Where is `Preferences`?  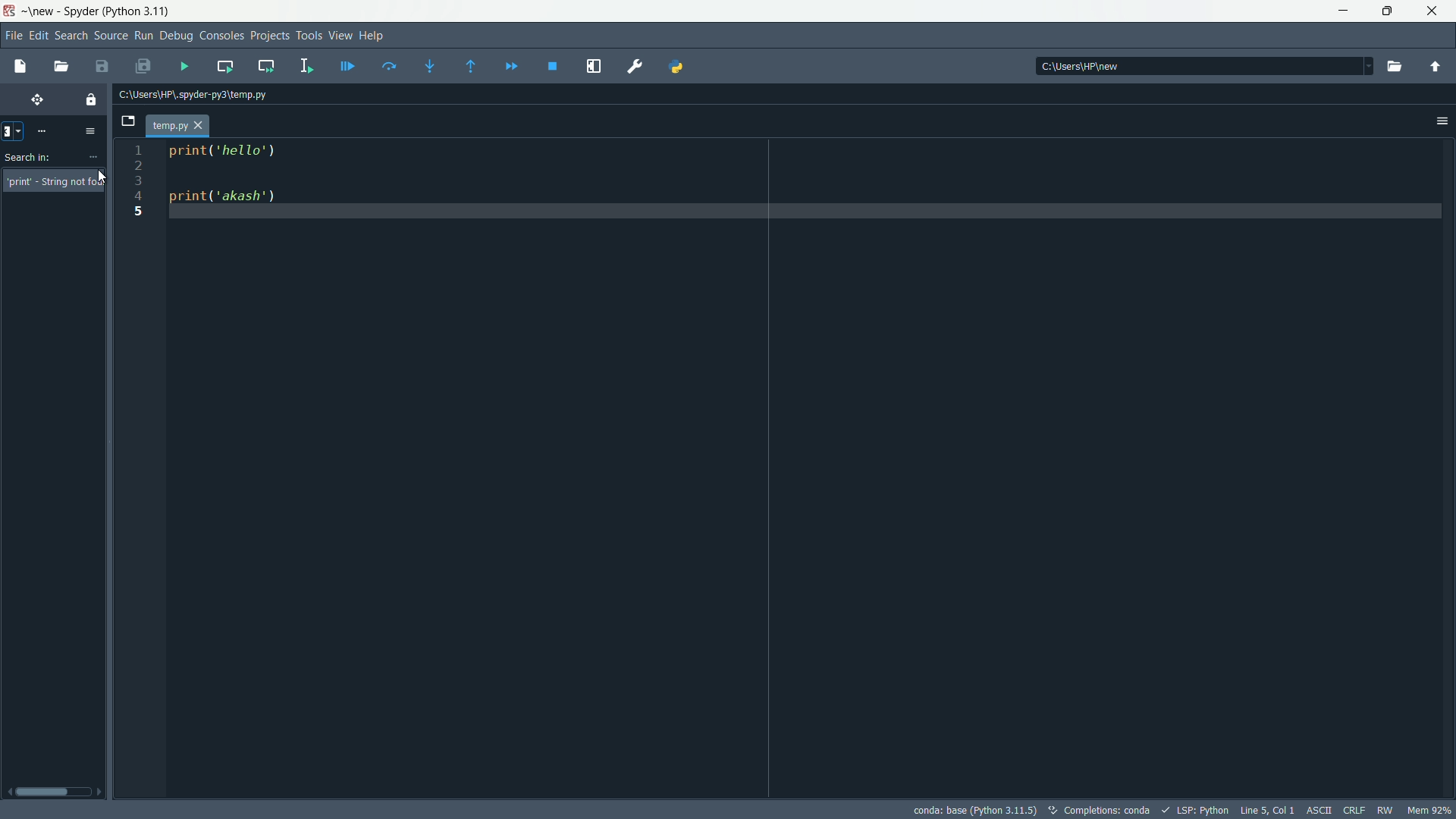 Preferences is located at coordinates (632, 69).